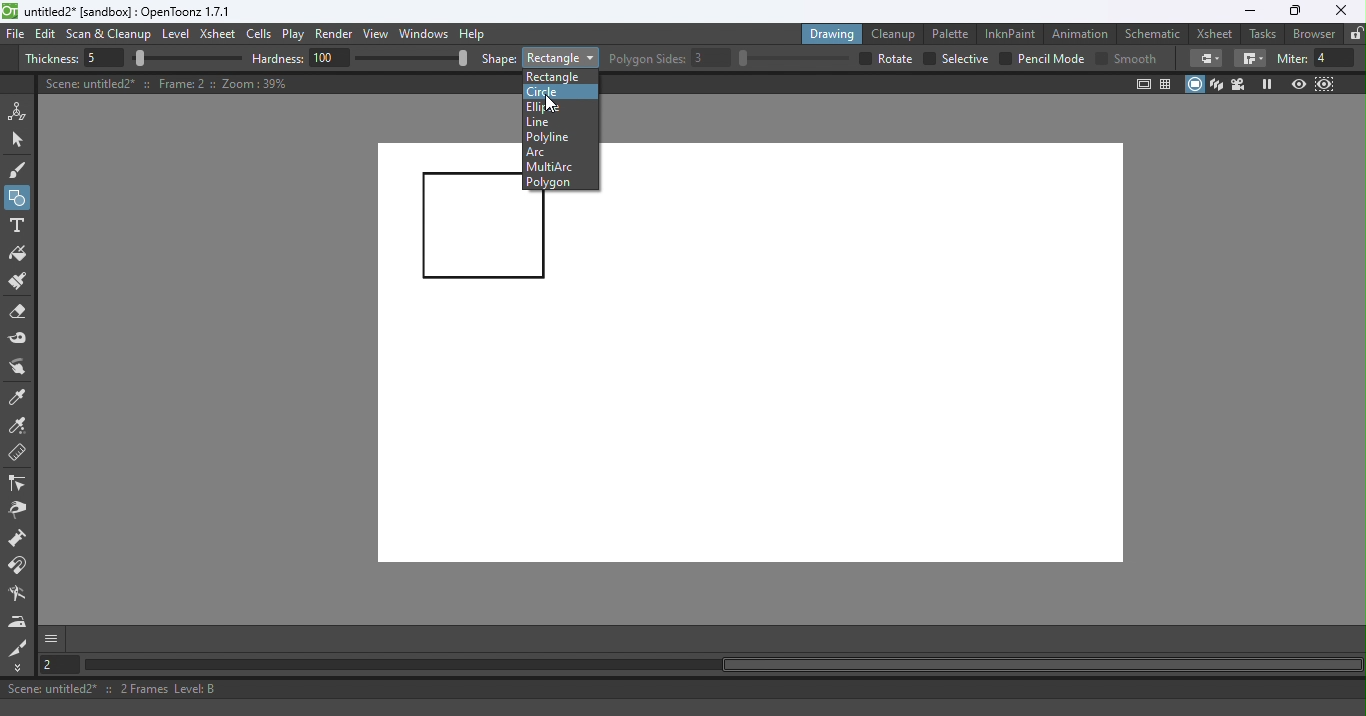  Describe the element at coordinates (51, 59) in the screenshot. I see `Thickness` at that location.